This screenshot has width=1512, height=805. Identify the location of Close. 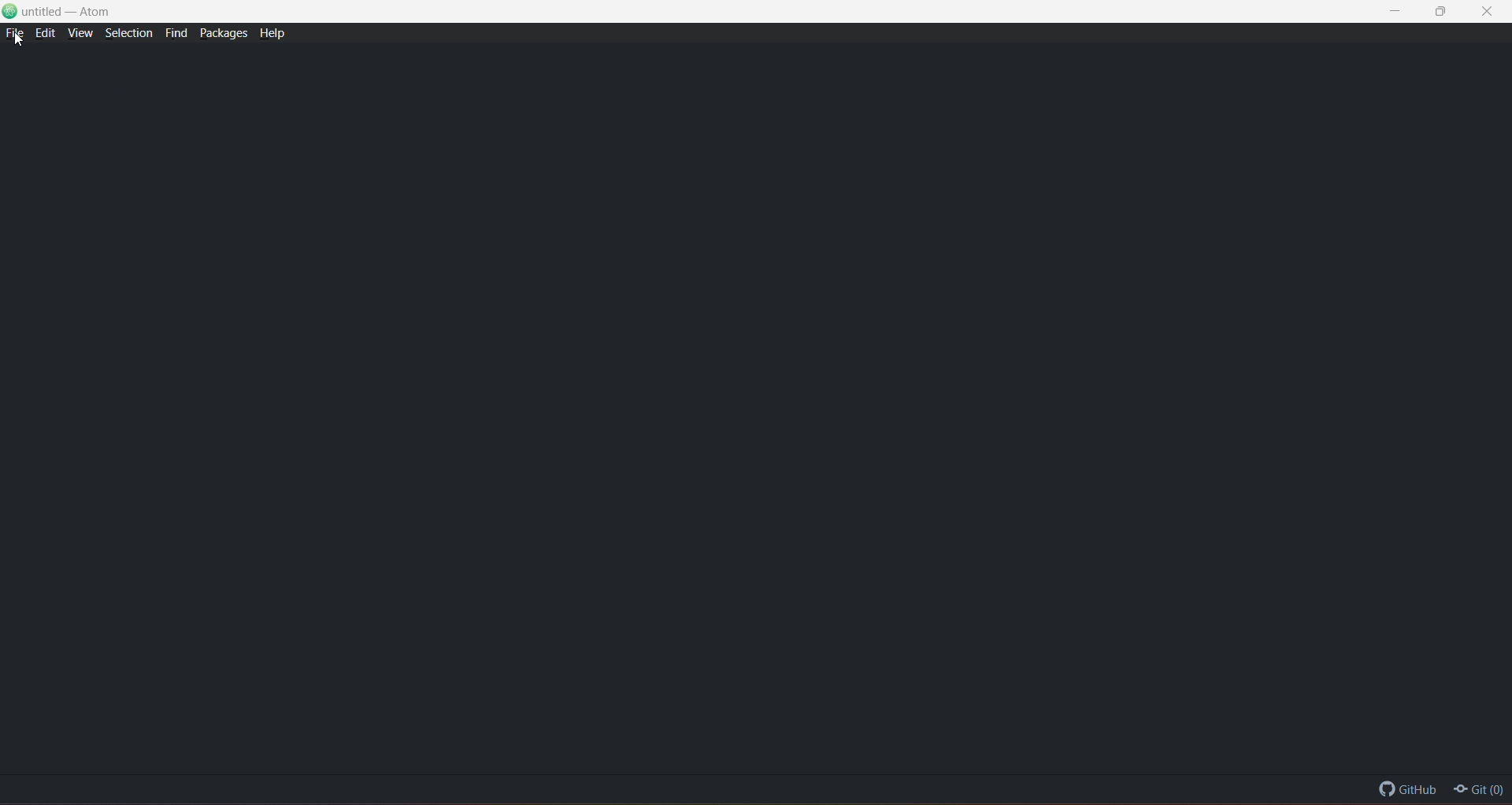
(1488, 13).